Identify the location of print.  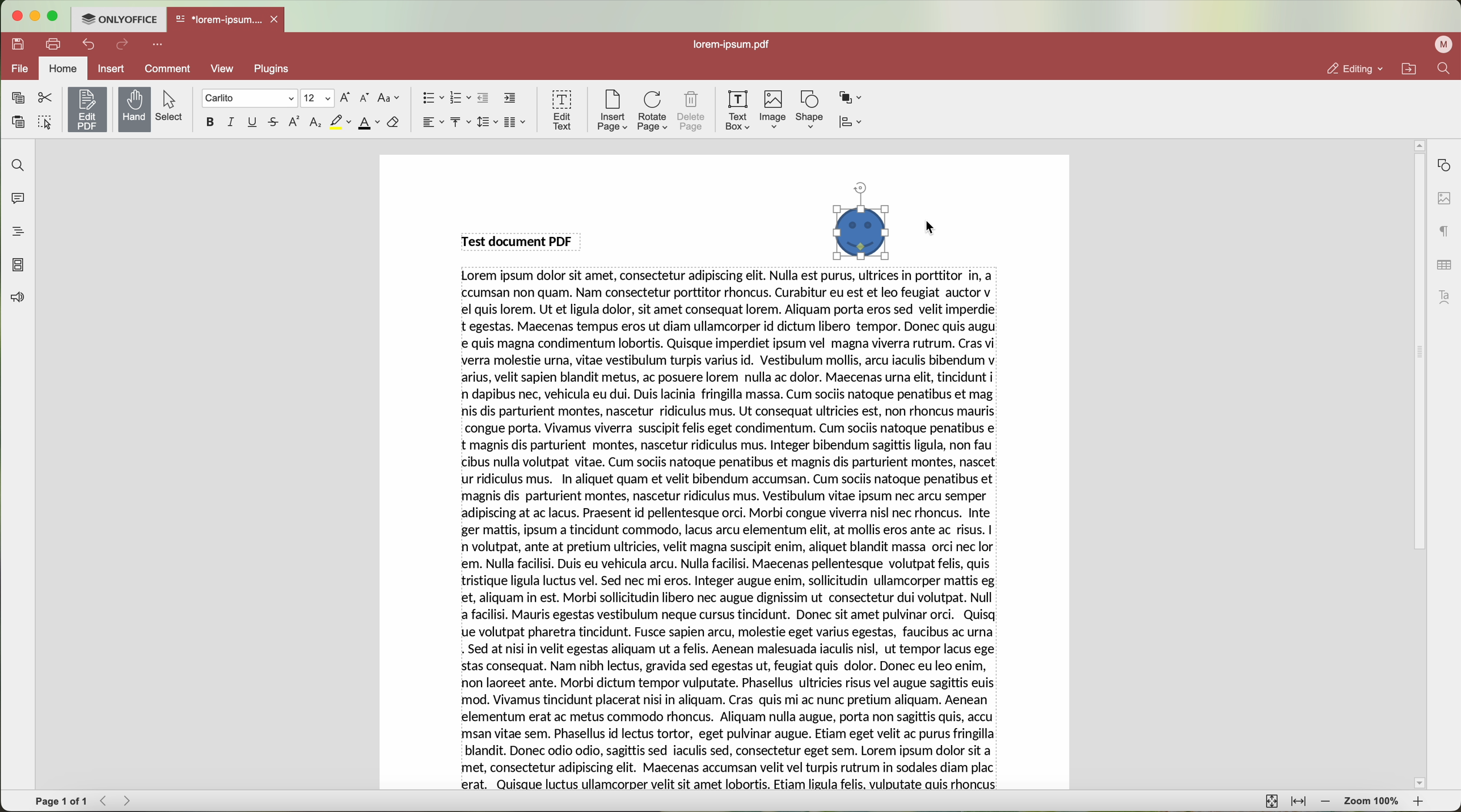
(54, 43).